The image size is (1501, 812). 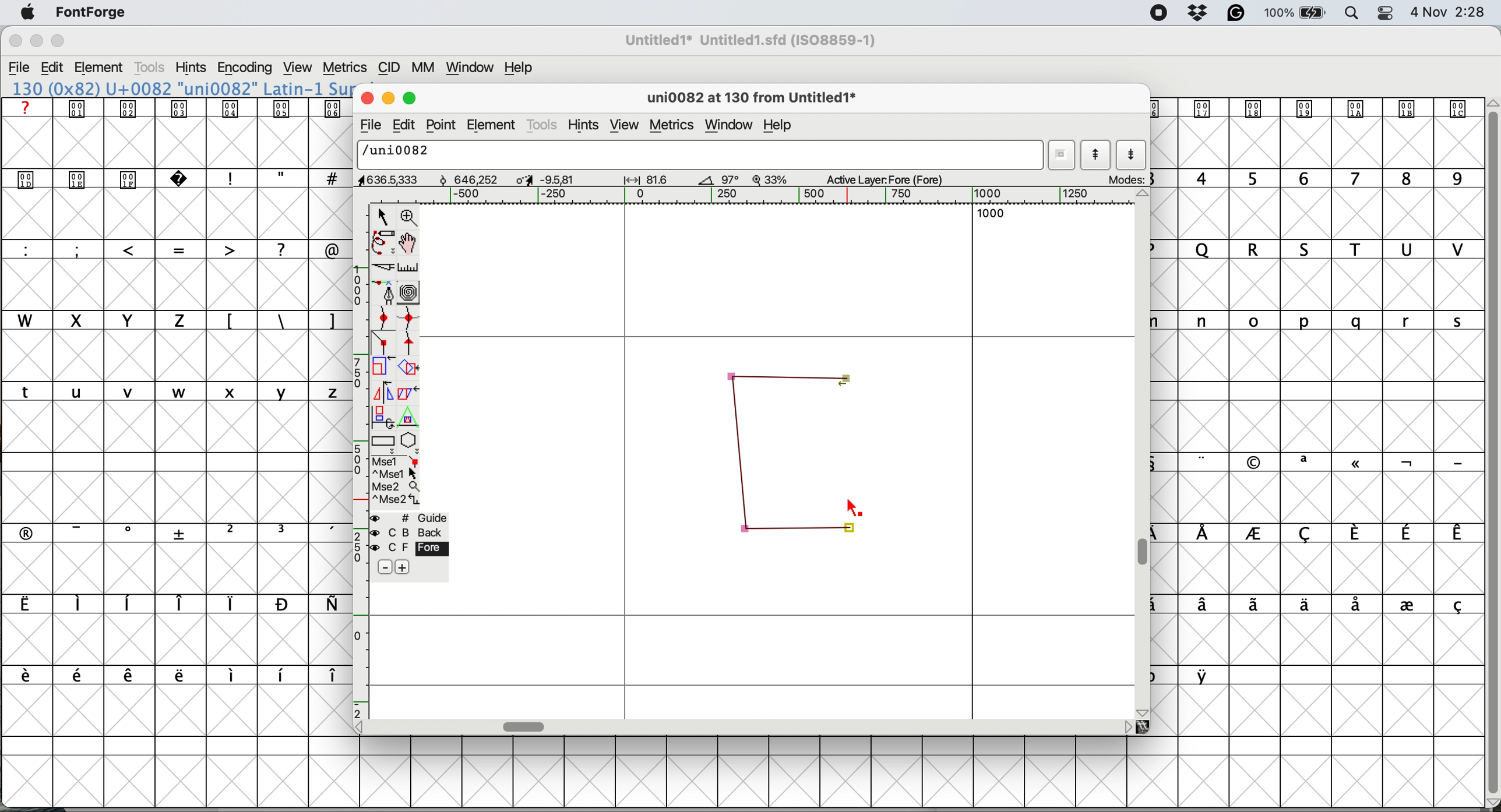 What do you see at coordinates (732, 125) in the screenshot?
I see `window` at bounding box center [732, 125].